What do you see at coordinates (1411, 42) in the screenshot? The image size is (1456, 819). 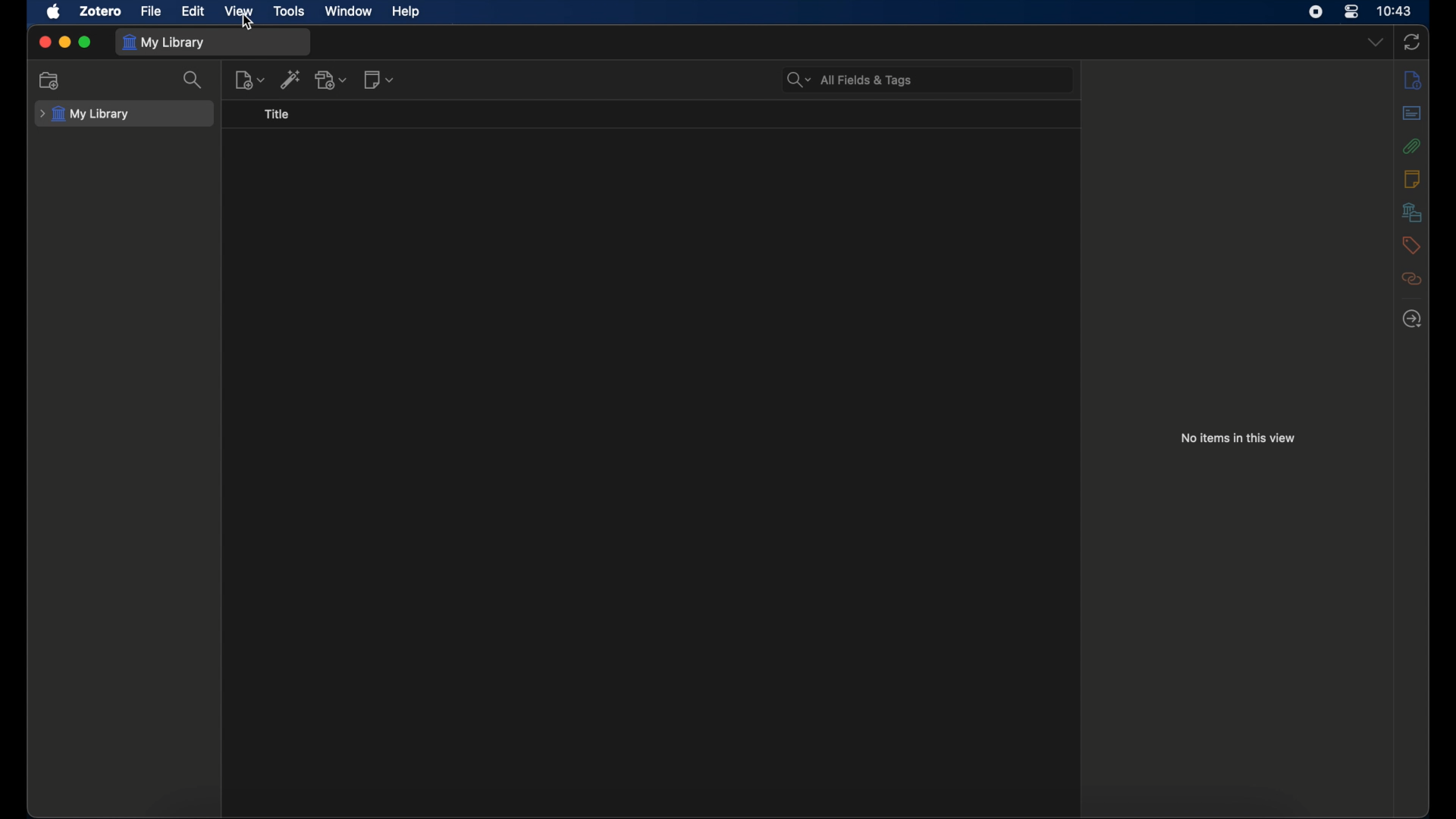 I see `sync` at bounding box center [1411, 42].